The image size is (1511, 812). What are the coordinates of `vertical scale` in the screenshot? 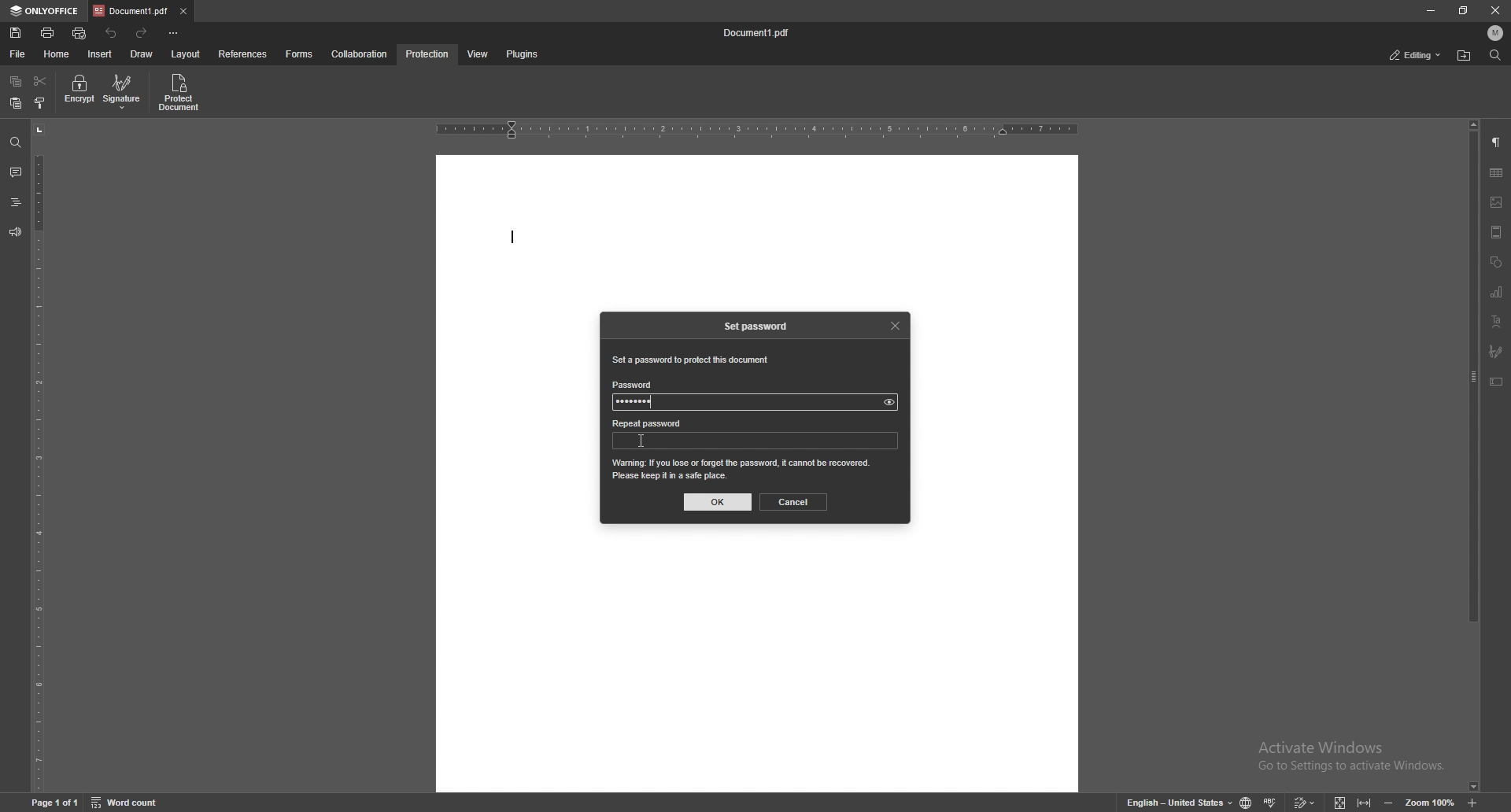 It's located at (38, 456).